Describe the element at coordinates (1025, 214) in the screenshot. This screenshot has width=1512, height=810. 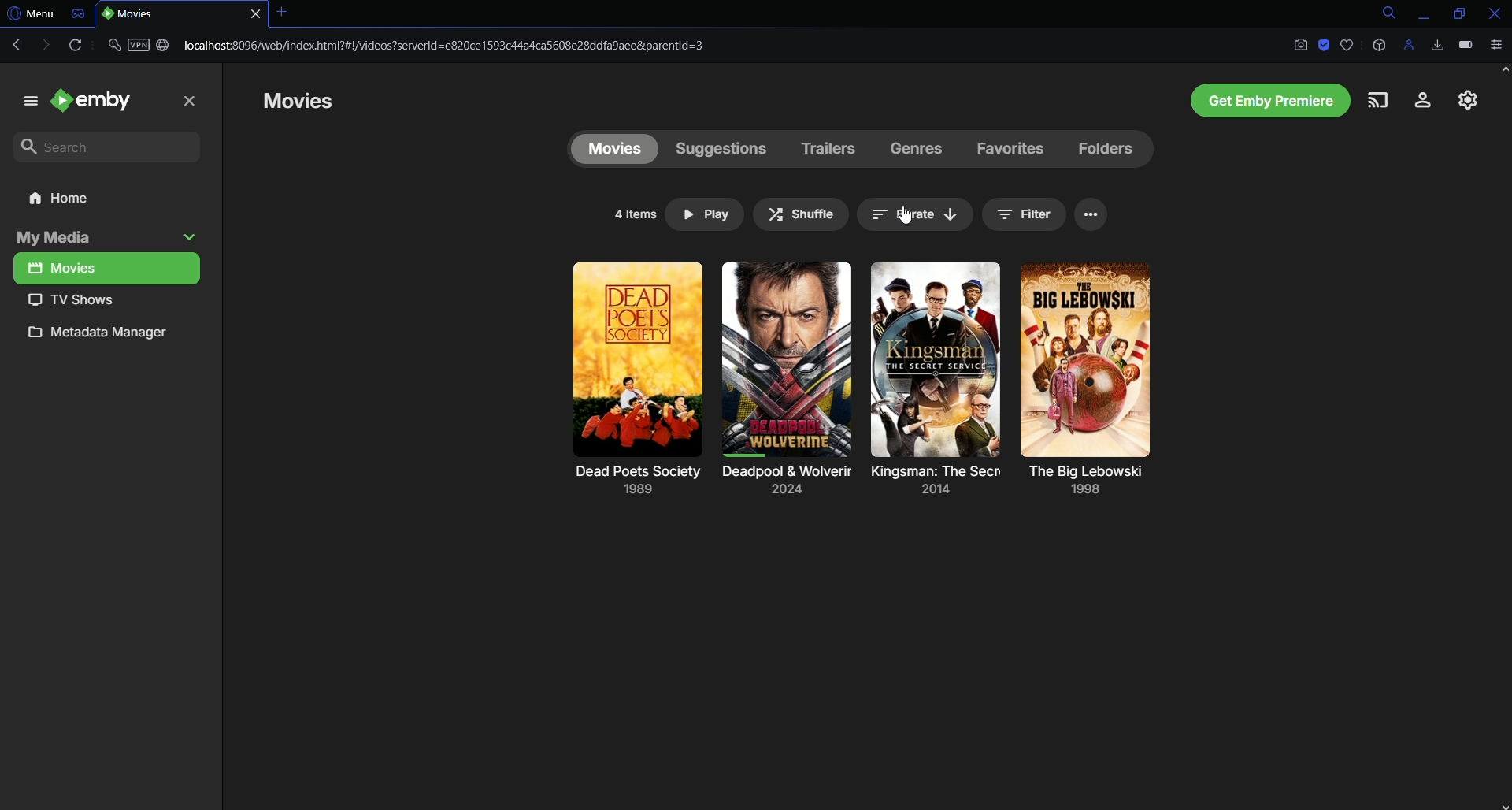
I see `Filter` at that location.